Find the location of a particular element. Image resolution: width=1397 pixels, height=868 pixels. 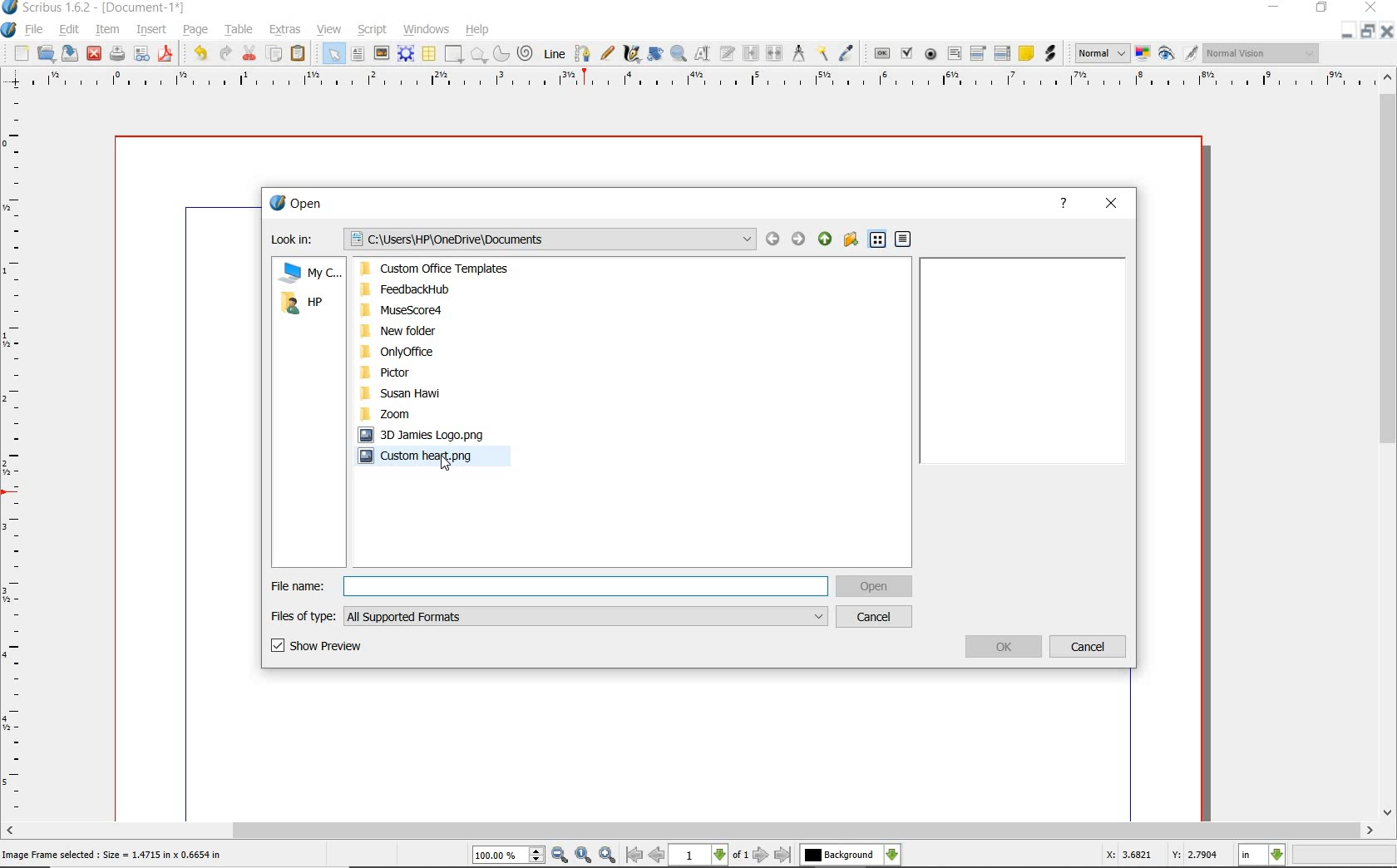

text frame is located at coordinates (358, 56).